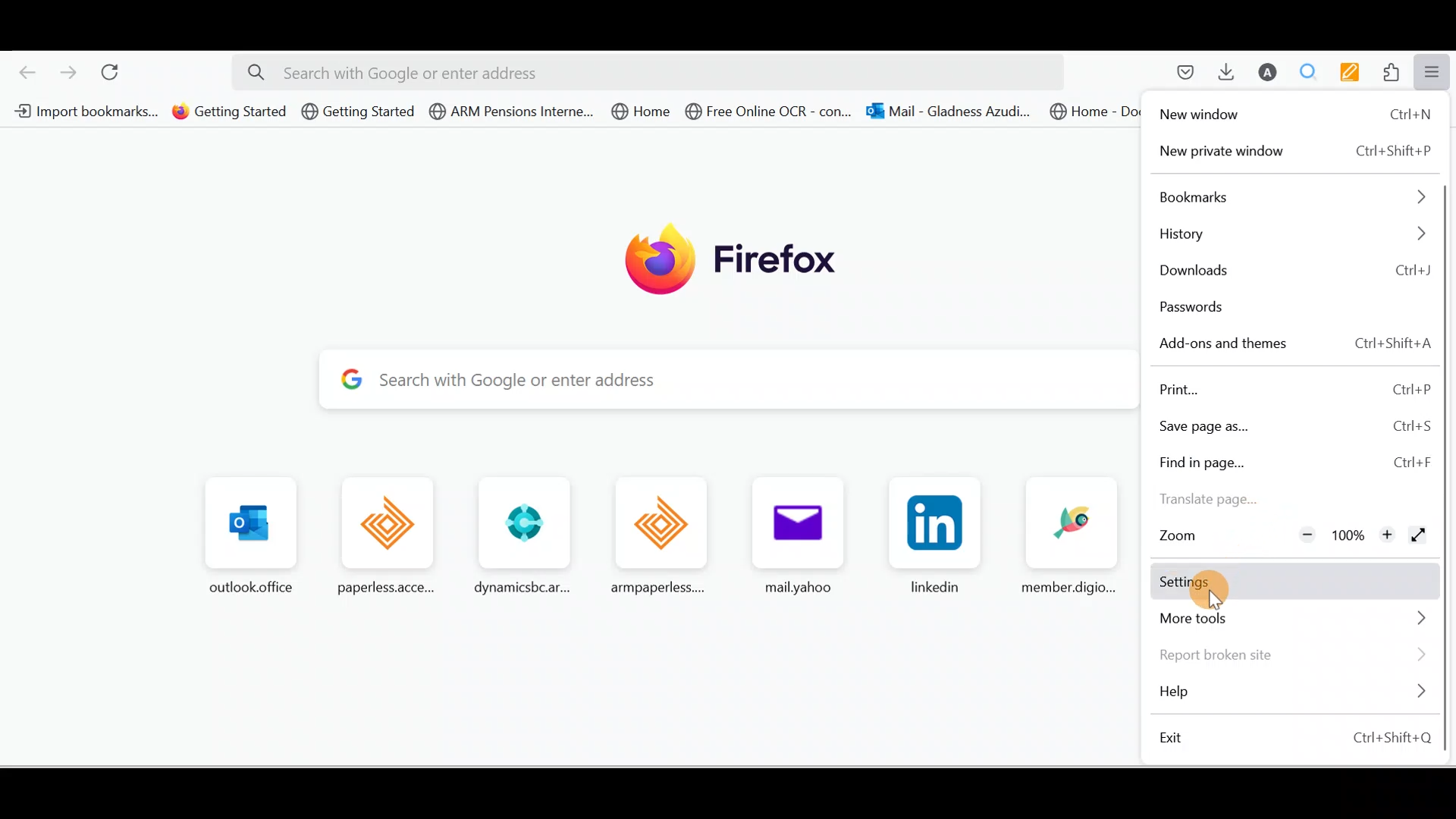 The height and width of the screenshot is (819, 1456). What do you see at coordinates (770, 114) in the screenshot?
I see `Bookmark 6` at bounding box center [770, 114].